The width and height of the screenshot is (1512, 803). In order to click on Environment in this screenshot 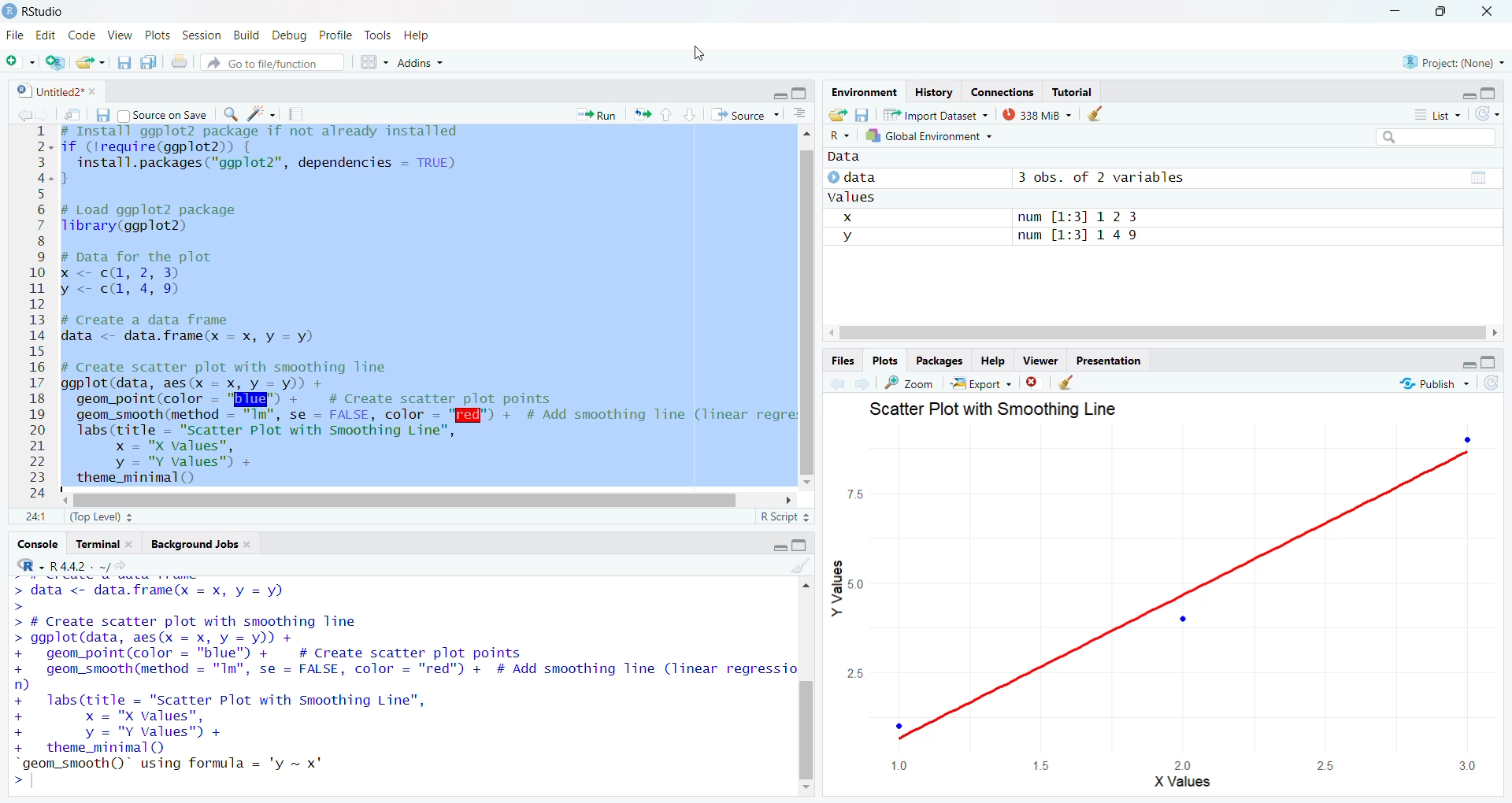, I will do `click(861, 92)`.